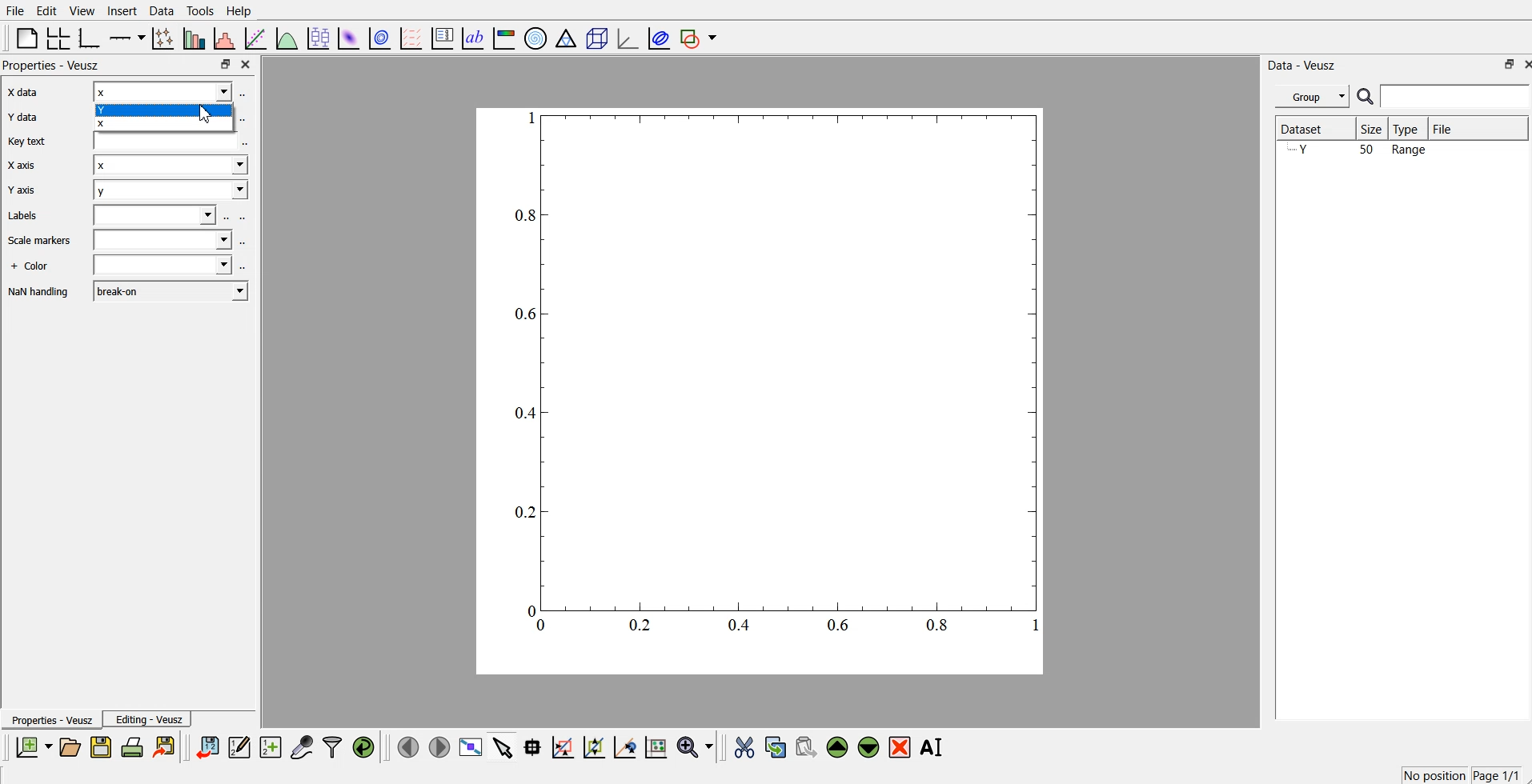  What do you see at coordinates (165, 126) in the screenshot?
I see `x` at bounding box center [165, 126].